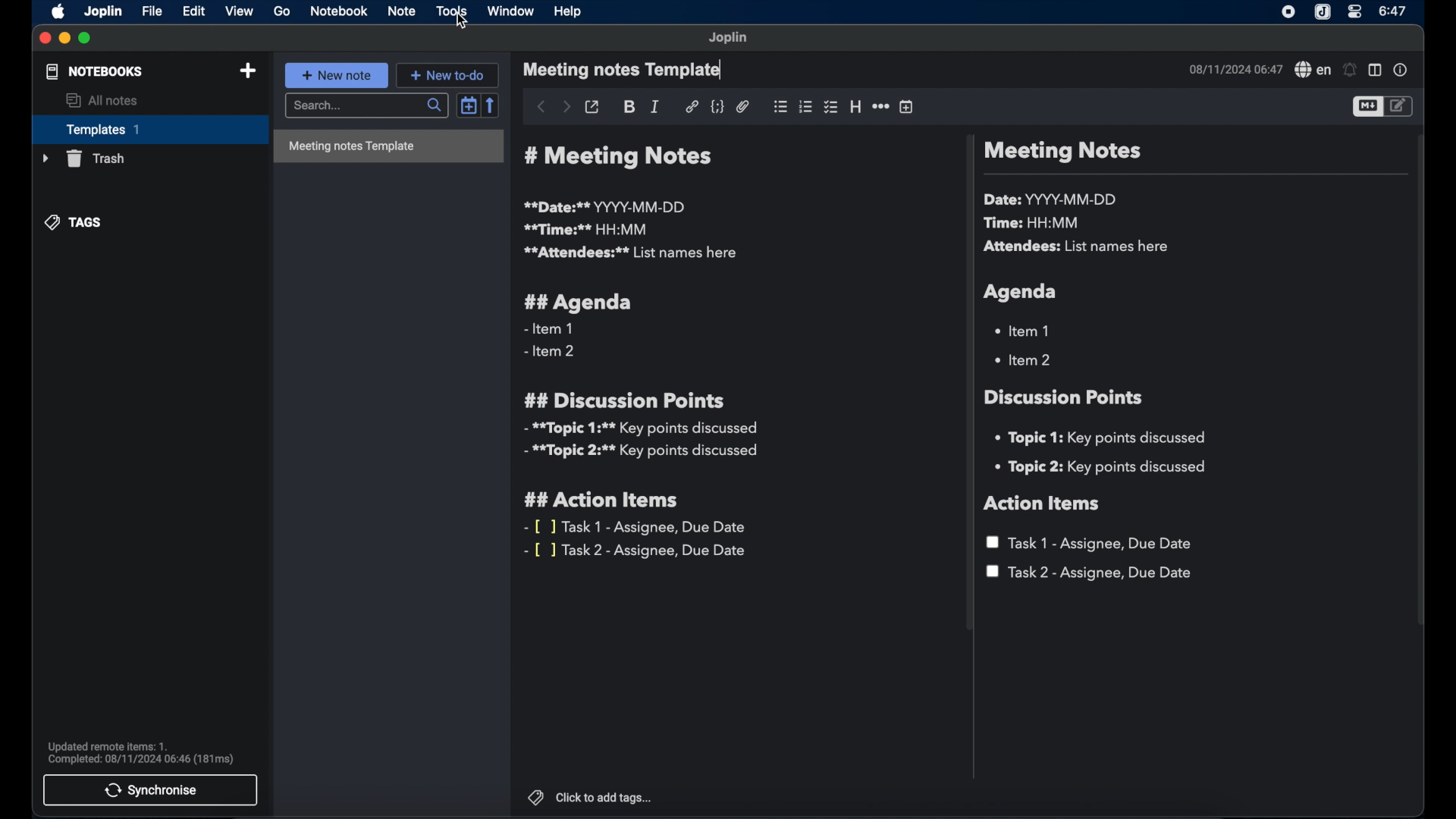  I want to click on maximize, so click(86, 38).